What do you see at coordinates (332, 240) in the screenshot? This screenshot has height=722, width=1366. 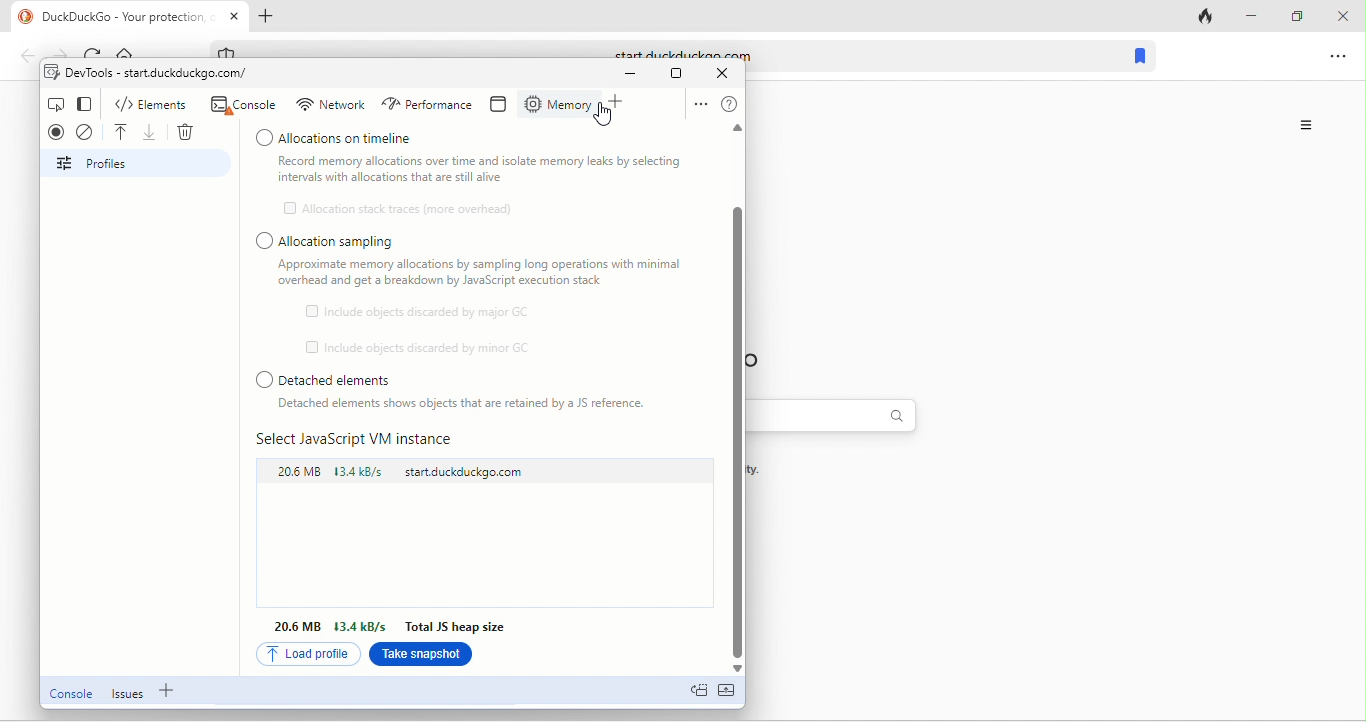 I see `allocation sampling` at bounding box center [332, 240].